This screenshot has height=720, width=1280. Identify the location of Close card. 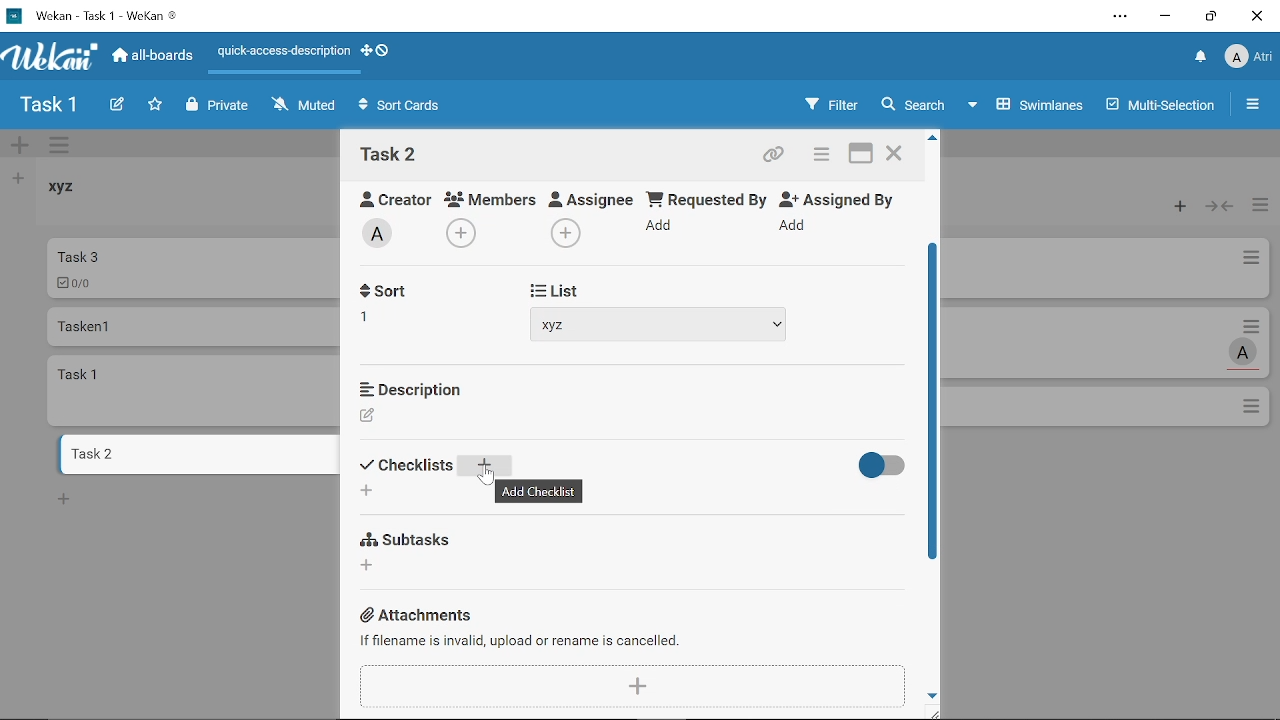
(896, 156).